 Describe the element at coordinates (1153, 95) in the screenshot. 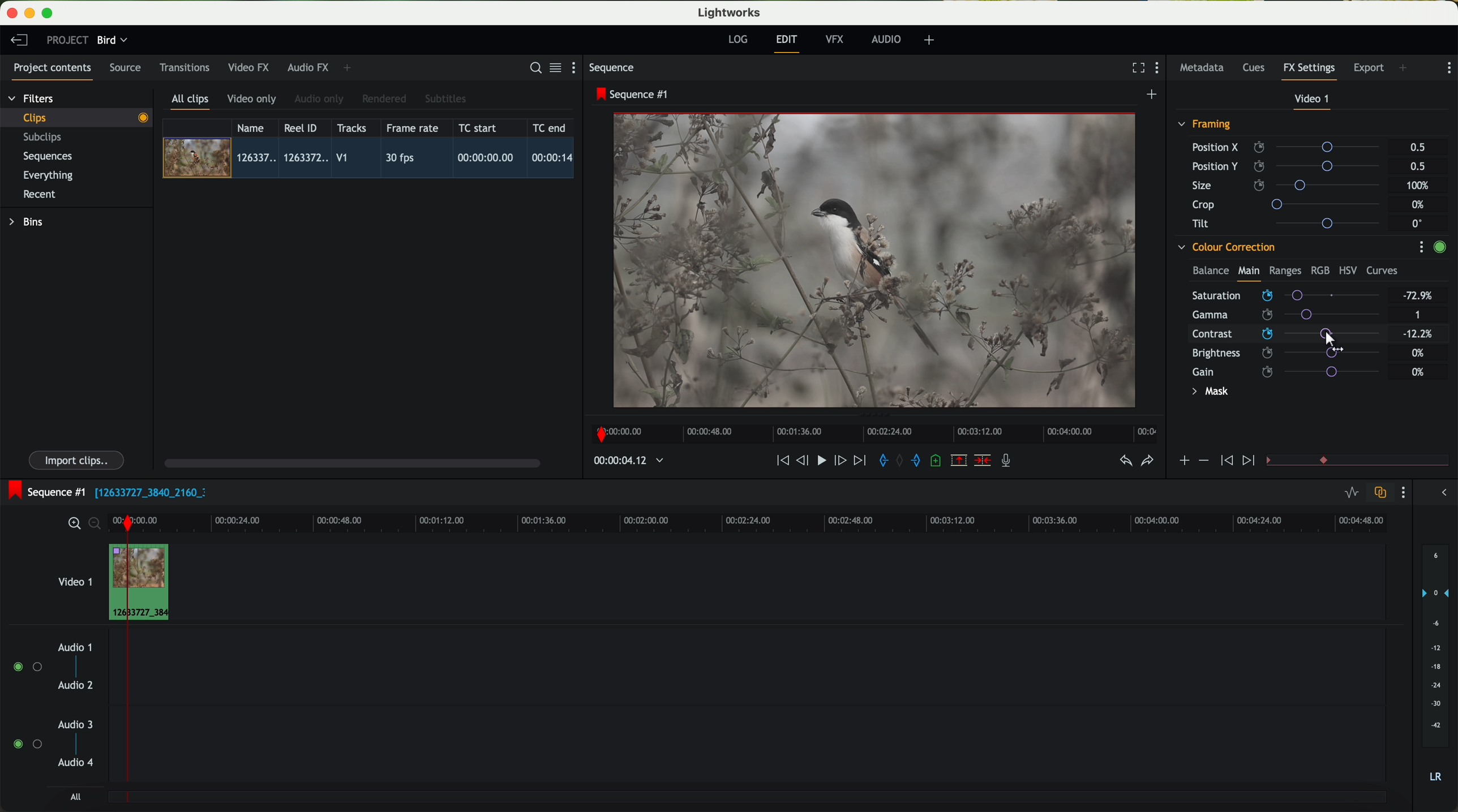

I see `create a new sequence` at that location.